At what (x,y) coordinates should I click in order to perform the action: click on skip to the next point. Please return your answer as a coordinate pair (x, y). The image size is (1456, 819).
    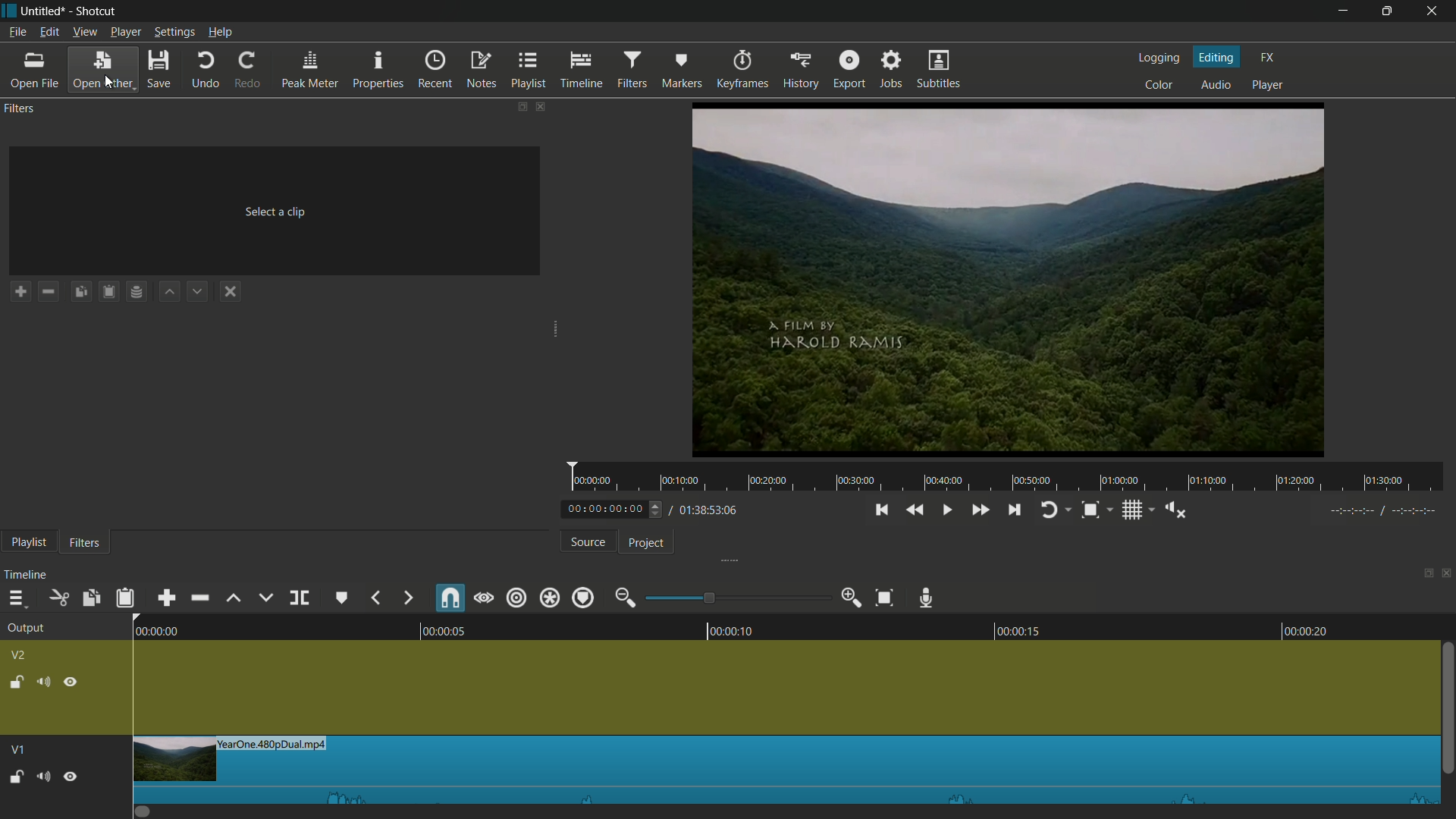
    Looking at the image, I should click on (1015, 510).